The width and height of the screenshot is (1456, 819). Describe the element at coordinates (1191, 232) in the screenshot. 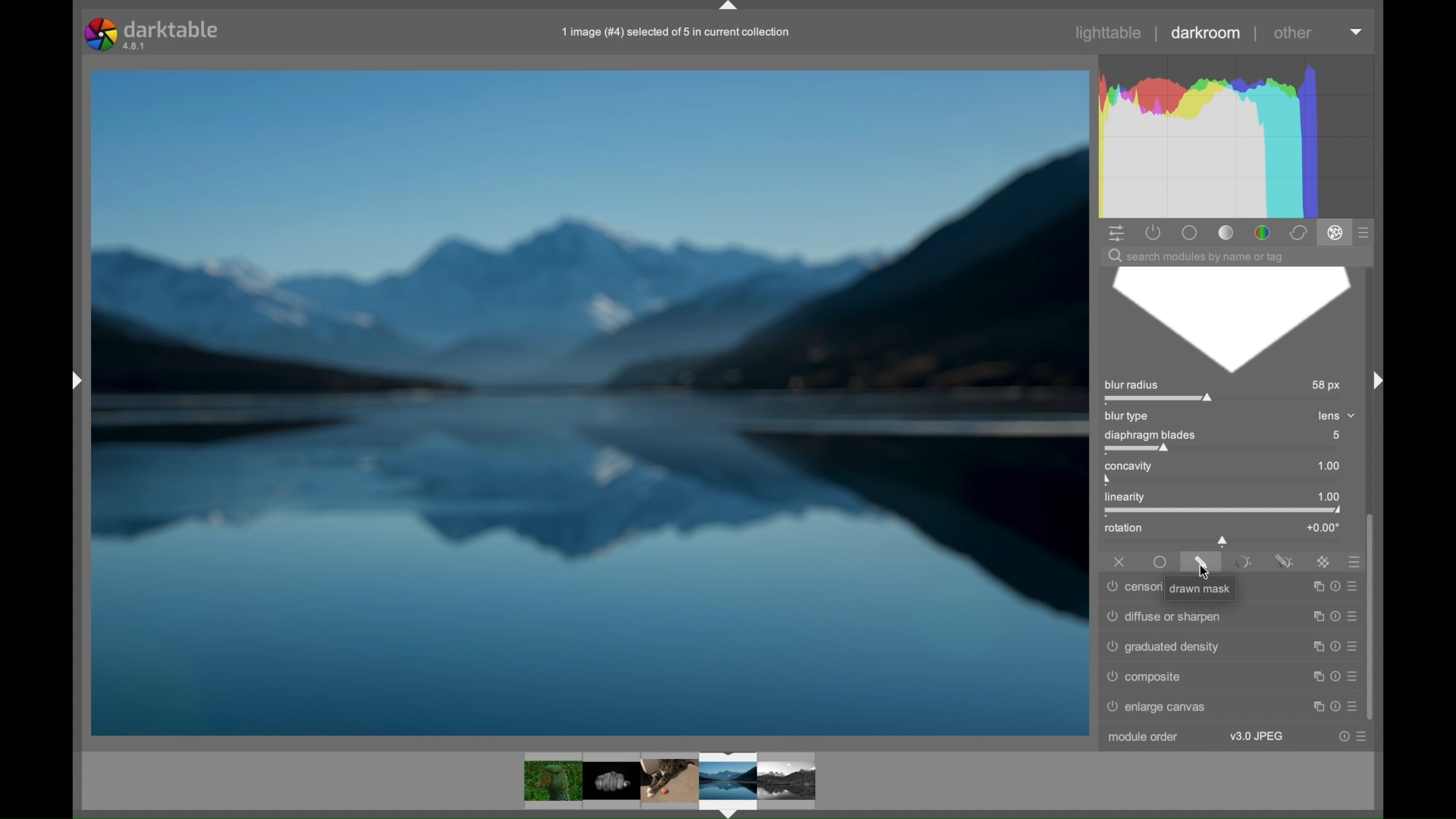

I see `base` at that location.